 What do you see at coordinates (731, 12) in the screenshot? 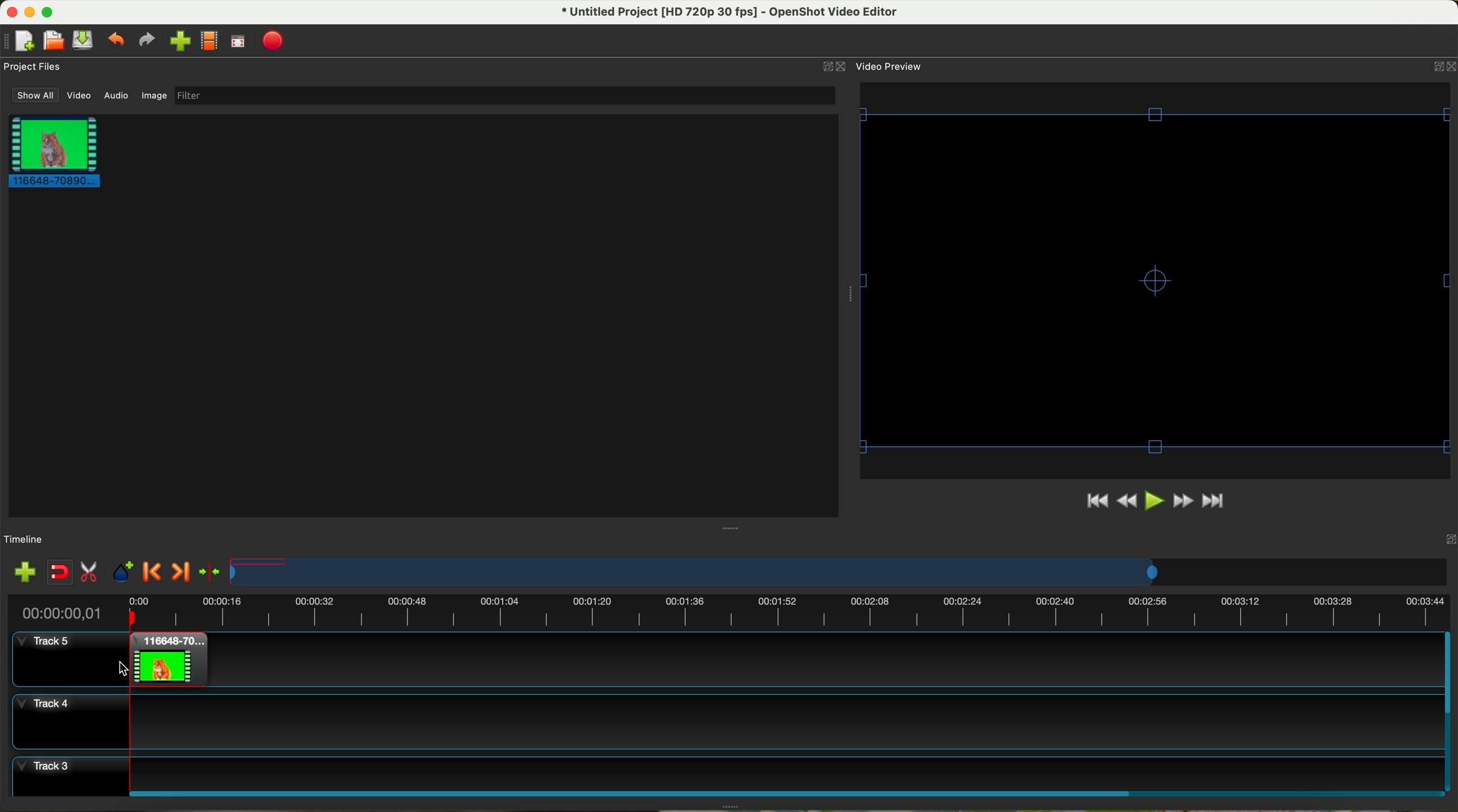
I see `file name` at bounding box center [731, 12].